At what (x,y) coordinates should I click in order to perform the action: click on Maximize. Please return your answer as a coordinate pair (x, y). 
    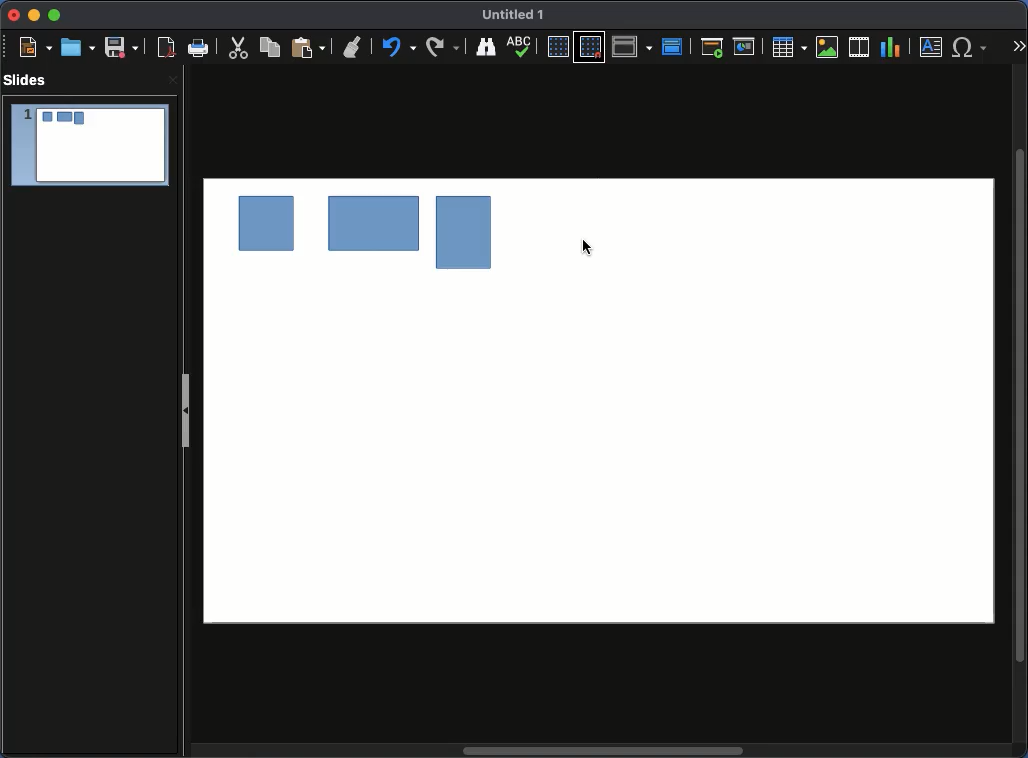
    Looking at the image, I should click on (56, 15).